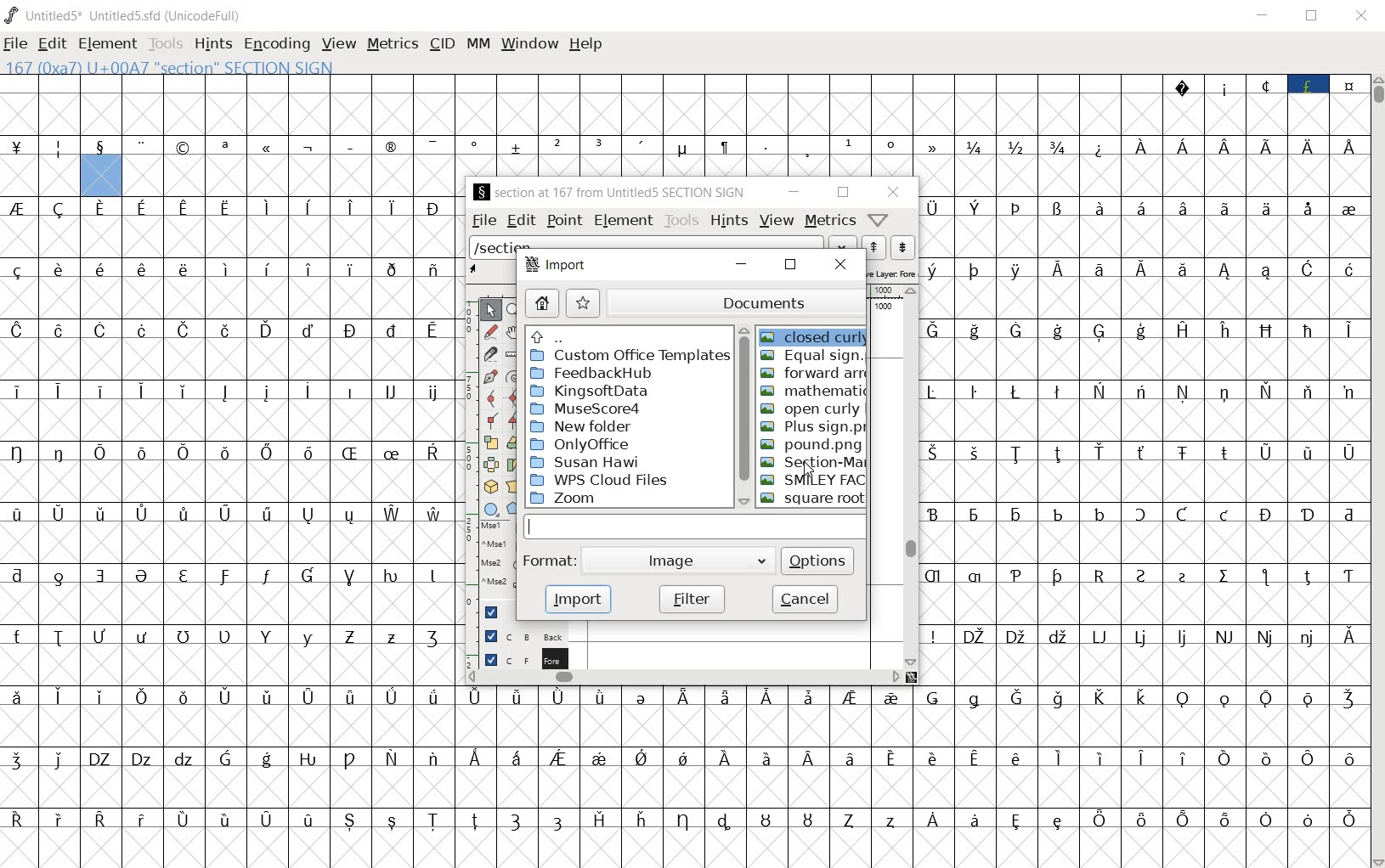 This screenshot has width=1385, height=868. What do you see at coordinates (442, 44) in the screenshot?
I see `CID` at bounding box center [442, 44].